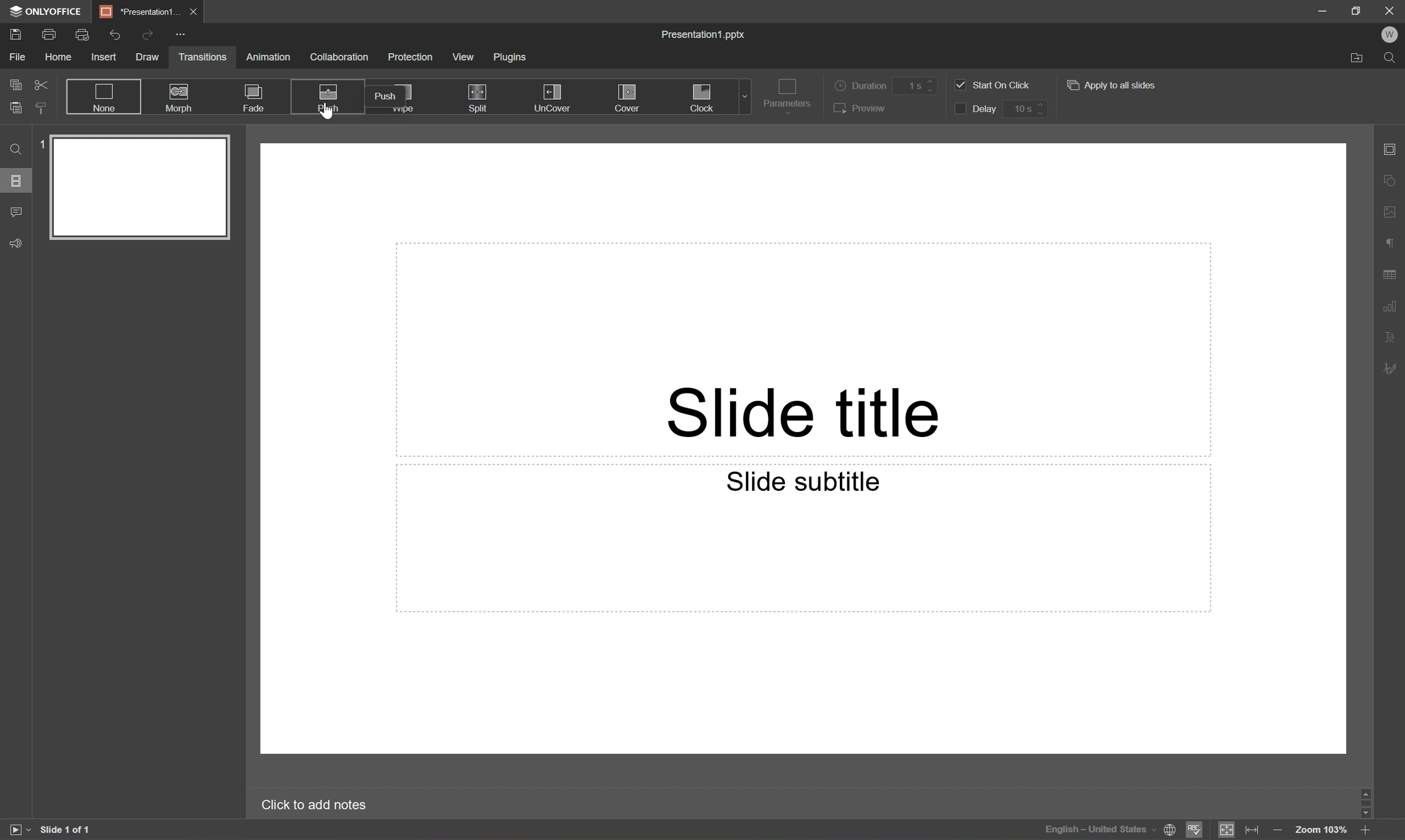 The height and width of the screenshot is (840, 1405). I want to click on 1 s, so click(917, 85).